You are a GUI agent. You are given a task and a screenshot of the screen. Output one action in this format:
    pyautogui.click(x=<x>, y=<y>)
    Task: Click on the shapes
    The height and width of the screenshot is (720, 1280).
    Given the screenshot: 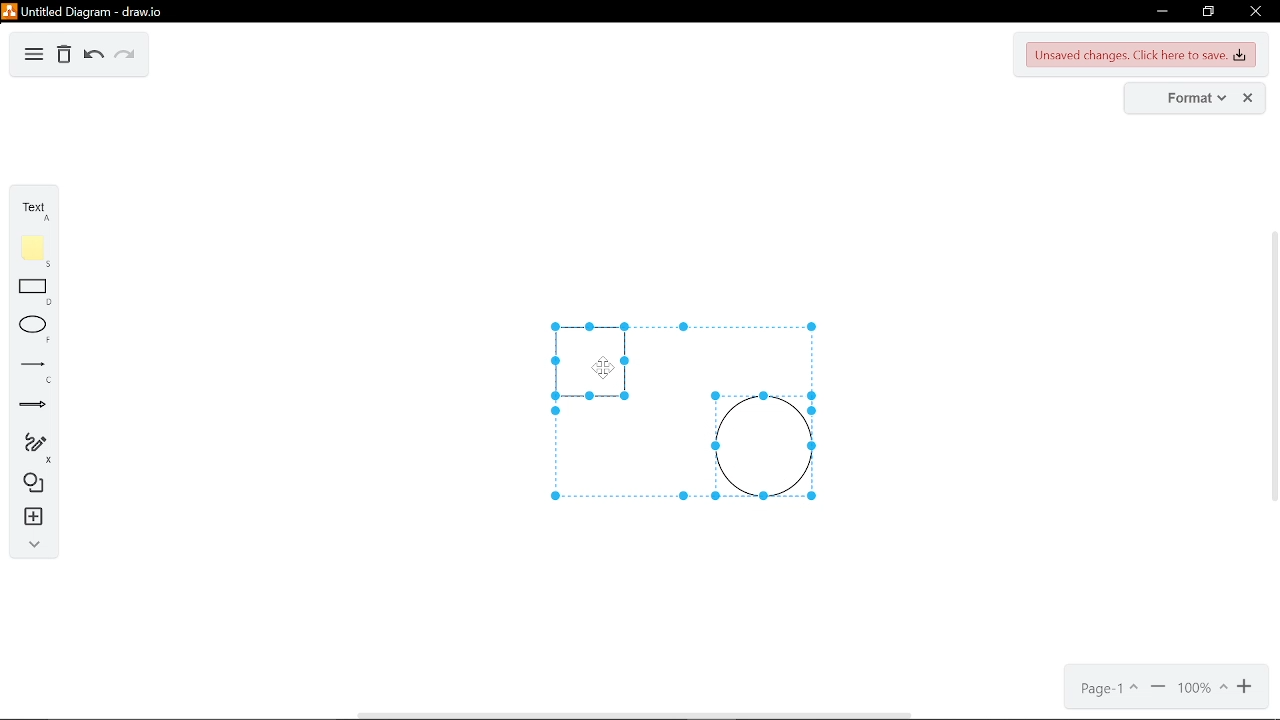 What is the action you would take?
    pyautogui.click(x=30, y=486)
    